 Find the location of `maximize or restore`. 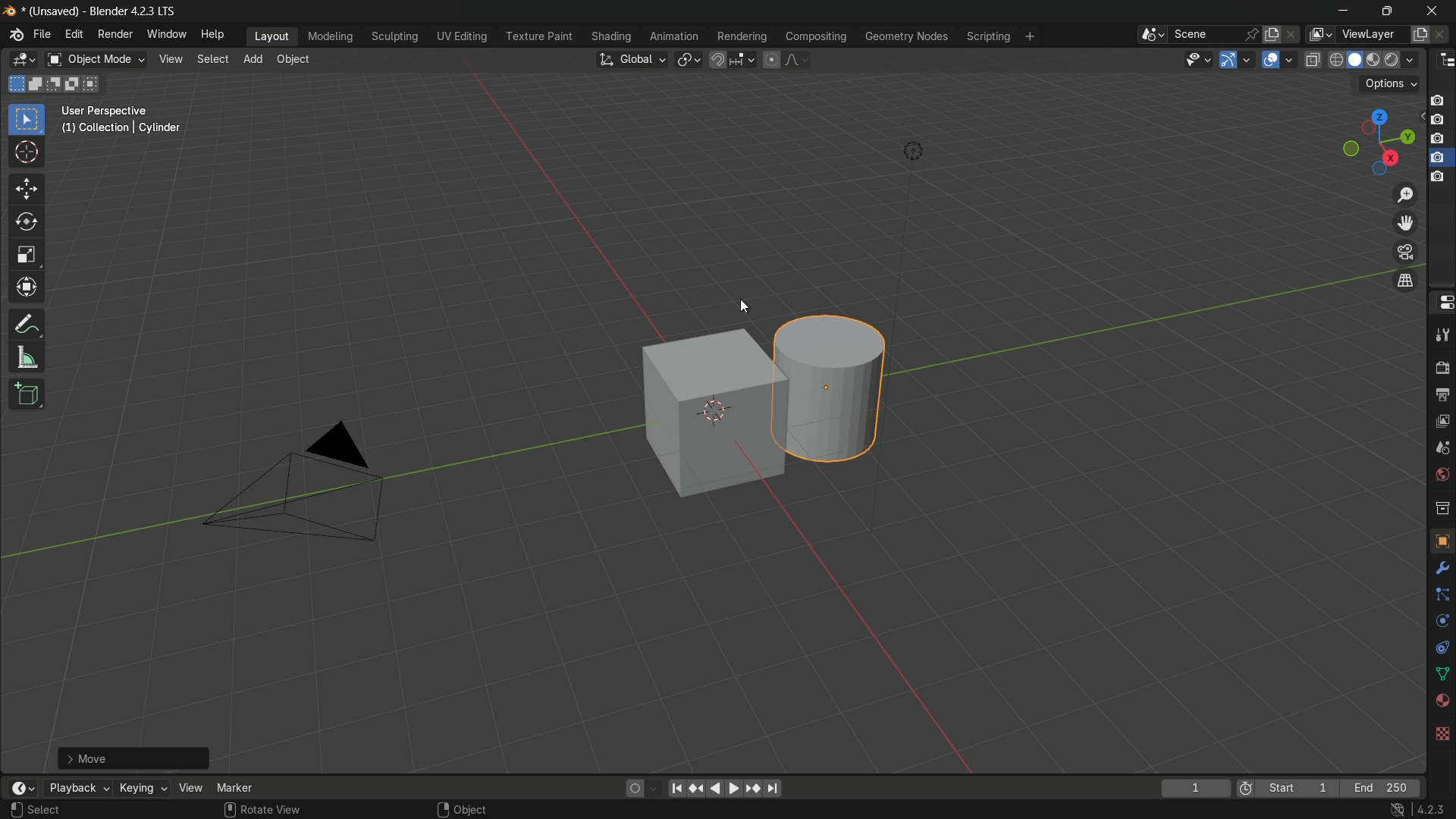

maximize or restore is located at coordinates (1386, 11).